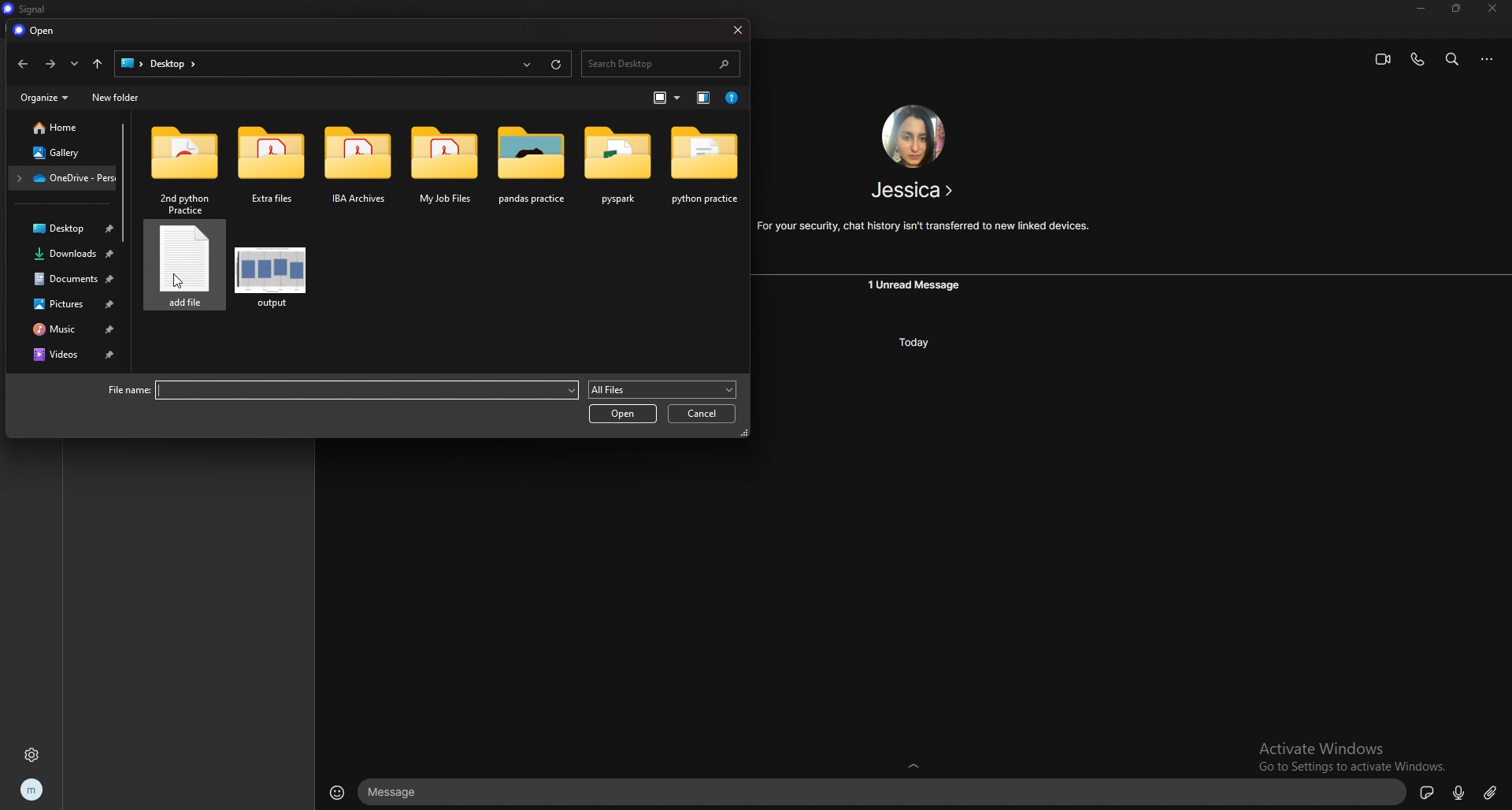 Image resolution: width=1512 pixels, height=810 pixels. Describe the element at coordinates (621, 414) in the screenshot. I see `open` at that location.